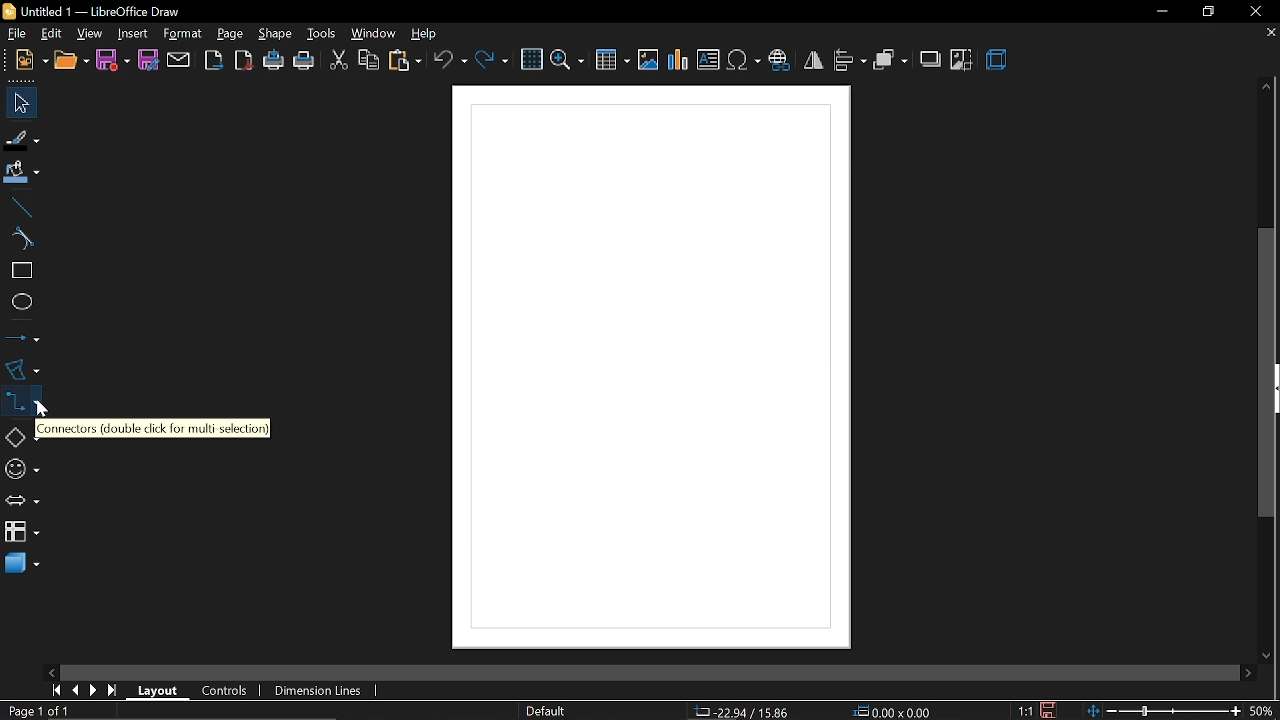  Describe the element at coordinates (93, 690) in the screenshot. I see `next page` at that location.